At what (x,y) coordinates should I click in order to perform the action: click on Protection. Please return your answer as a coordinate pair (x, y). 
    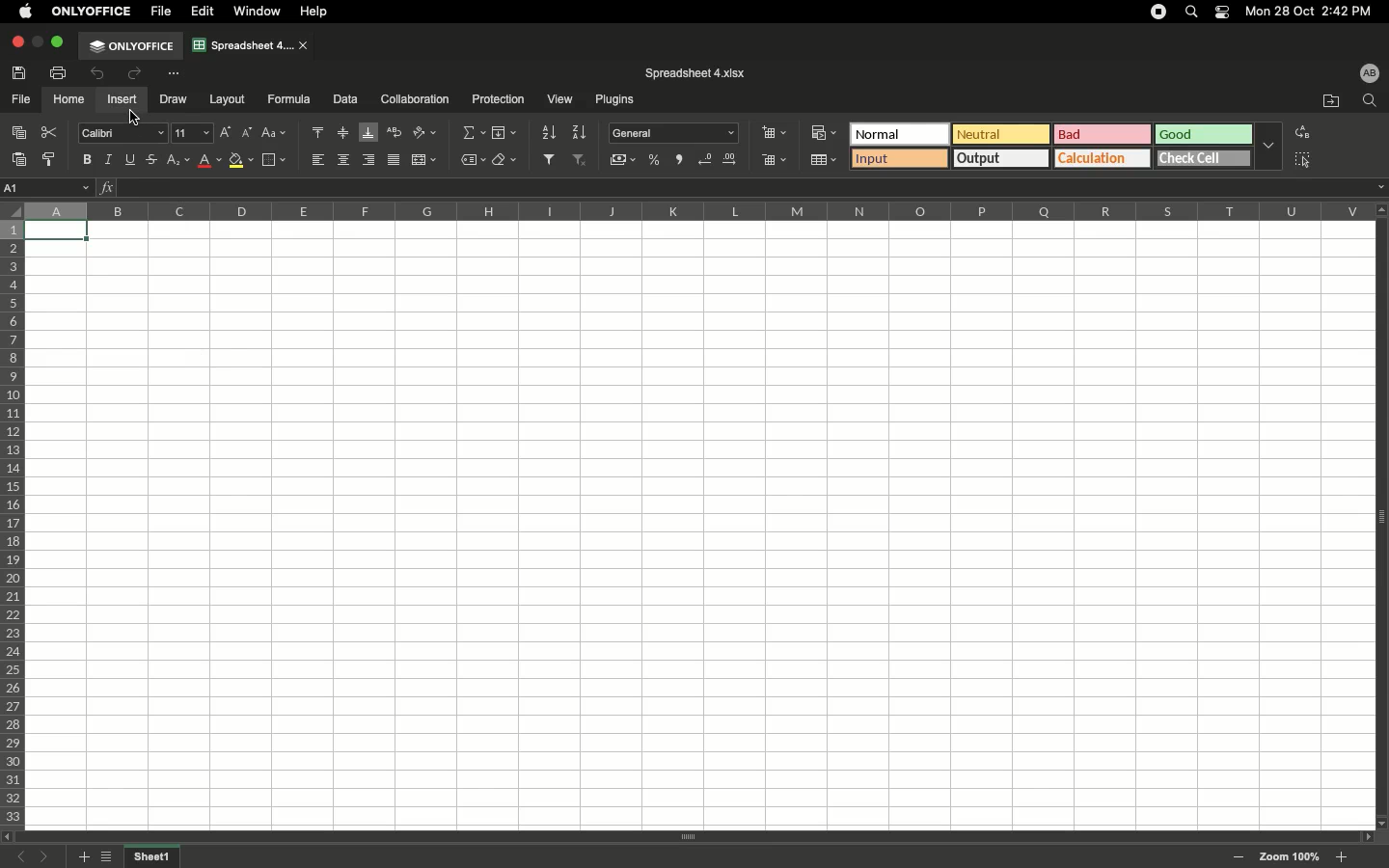
    Looking at the image, I should click on (494, 98).